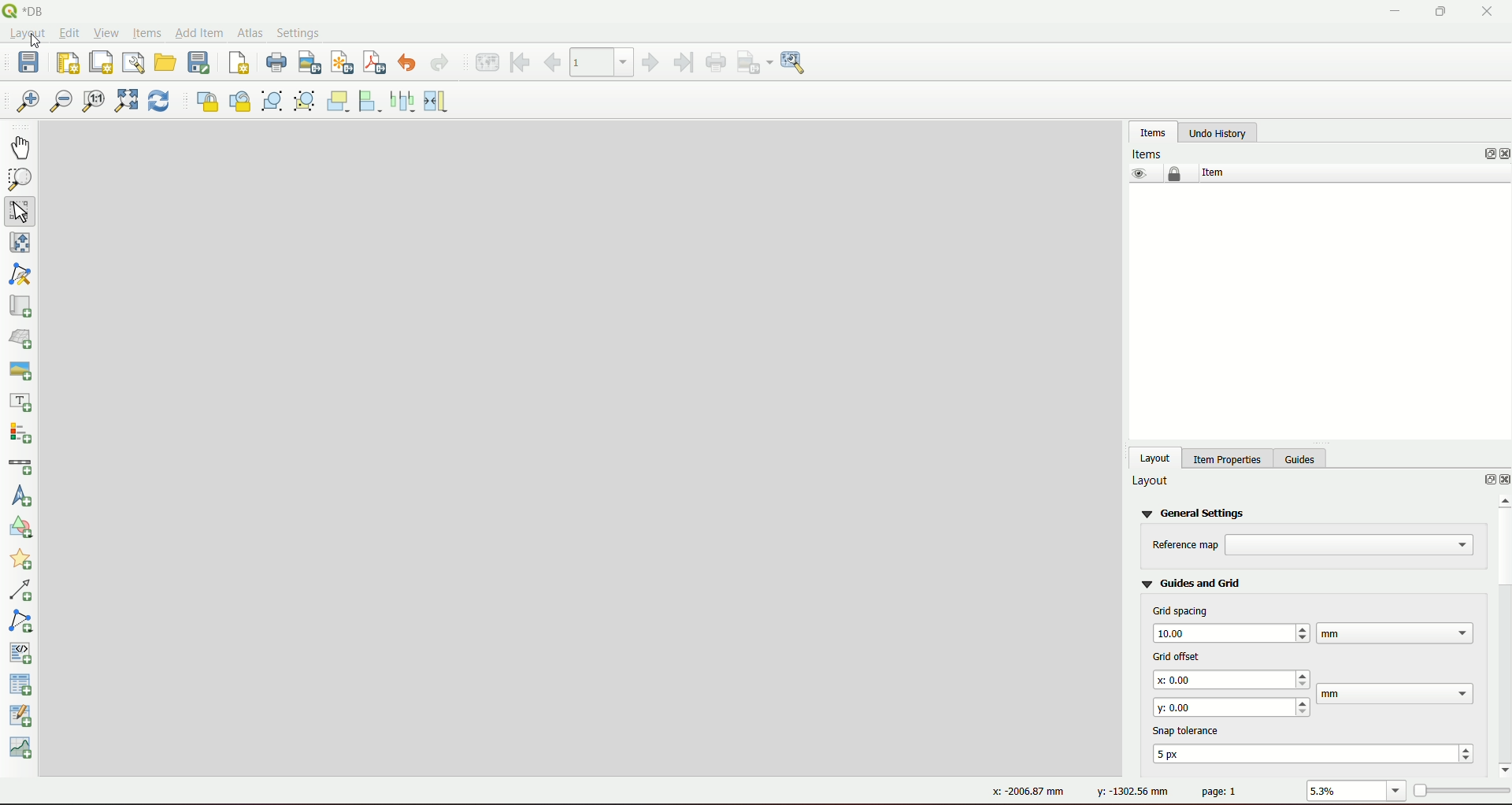  I want to click on undo history, so click(1217, 133).